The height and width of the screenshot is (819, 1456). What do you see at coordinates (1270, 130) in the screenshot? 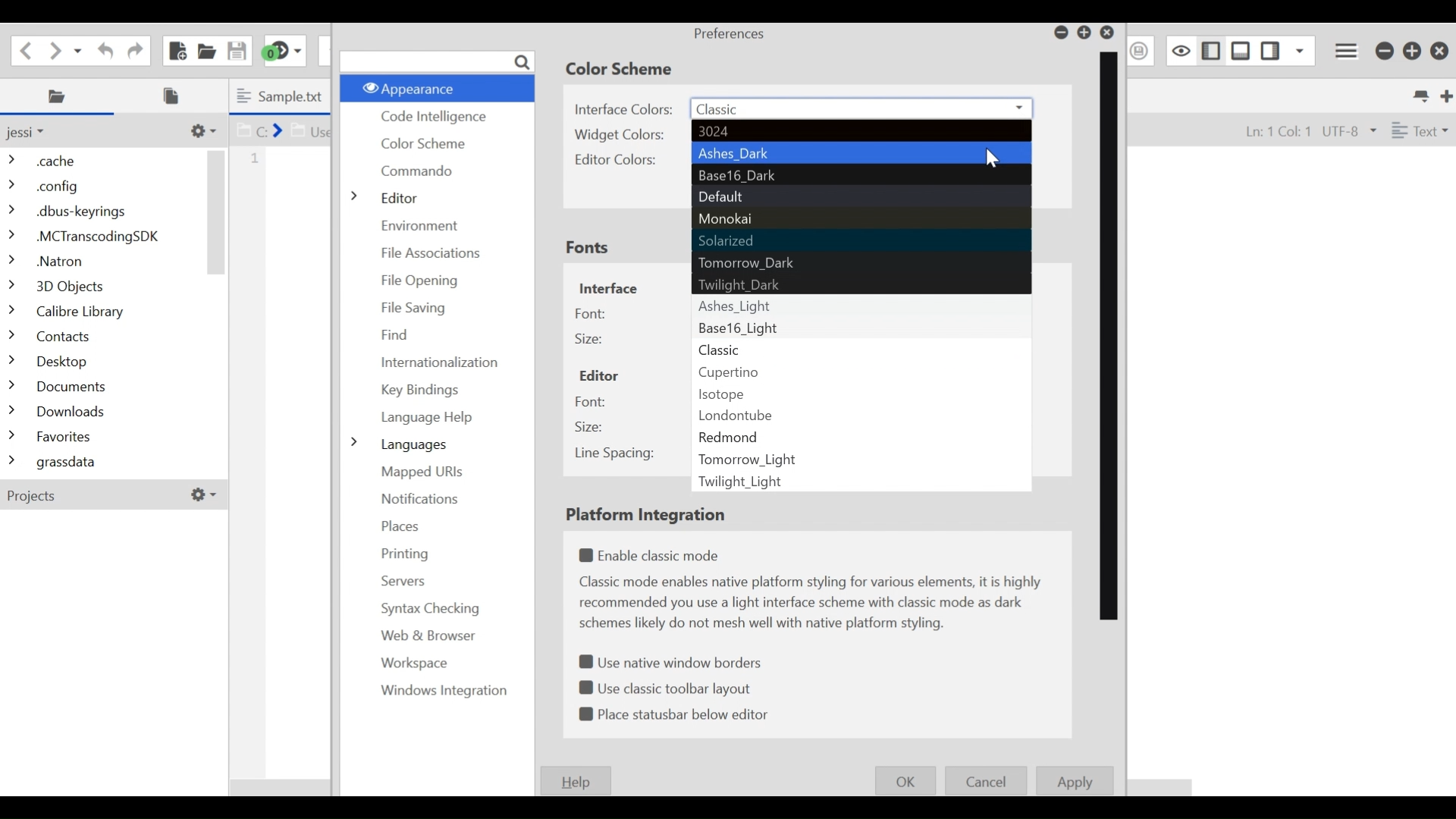
I see `File Position` at bounding box center [1270, 130].